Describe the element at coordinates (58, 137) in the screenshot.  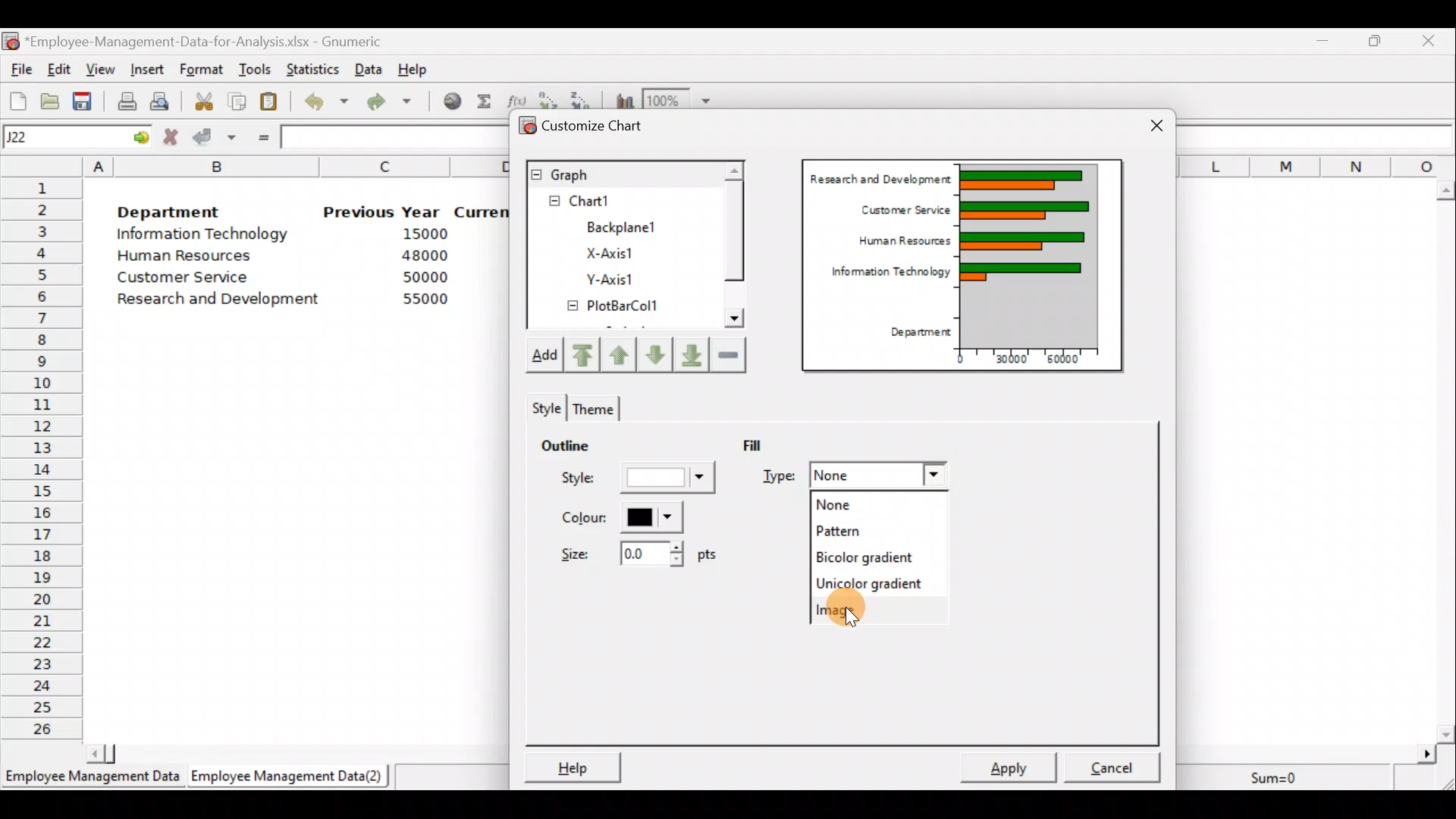
I see `Cell name J22` at that location.